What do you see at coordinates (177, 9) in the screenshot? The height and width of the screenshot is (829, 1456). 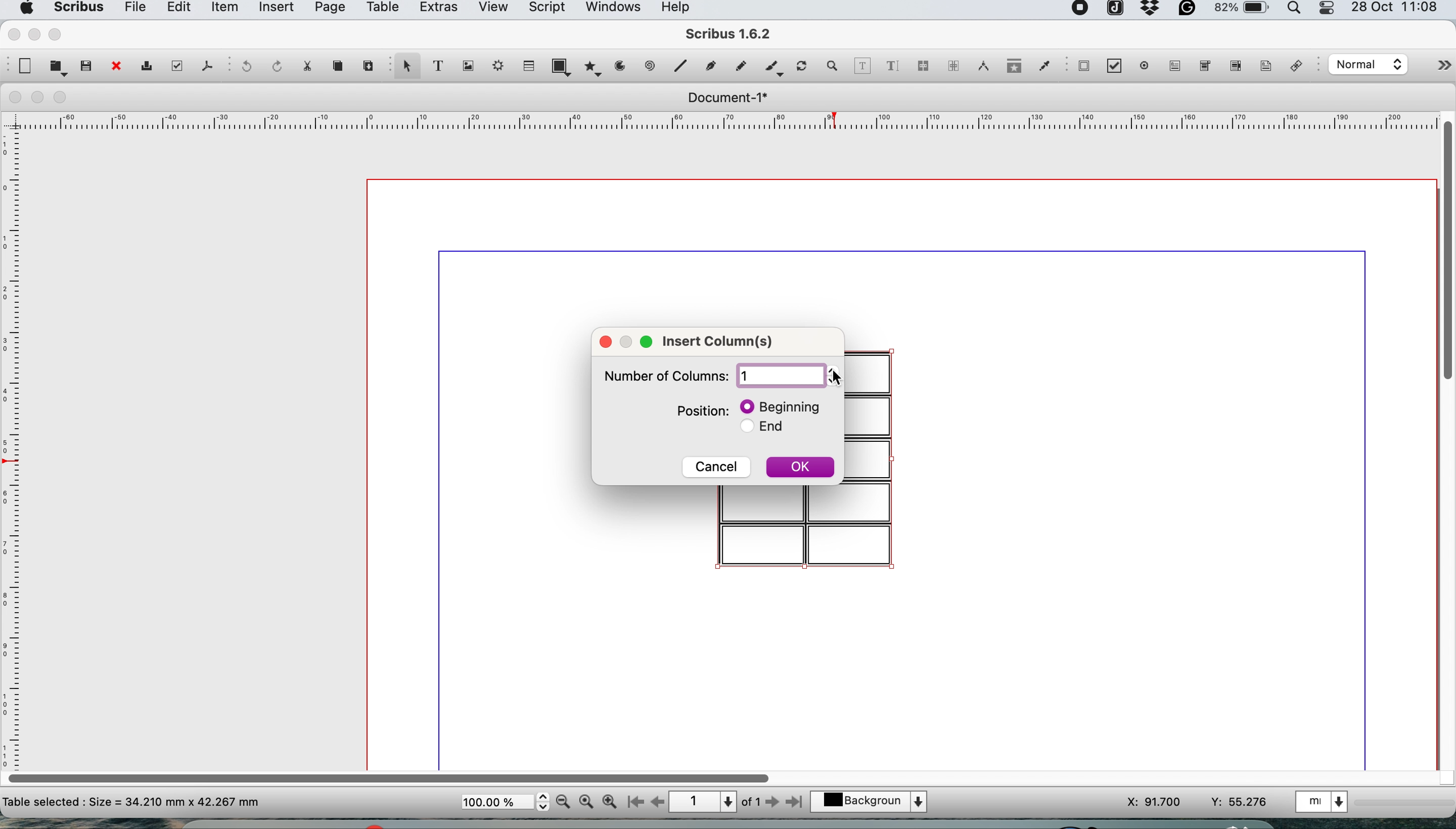 I see `edit` at bounding box center [177, 9].